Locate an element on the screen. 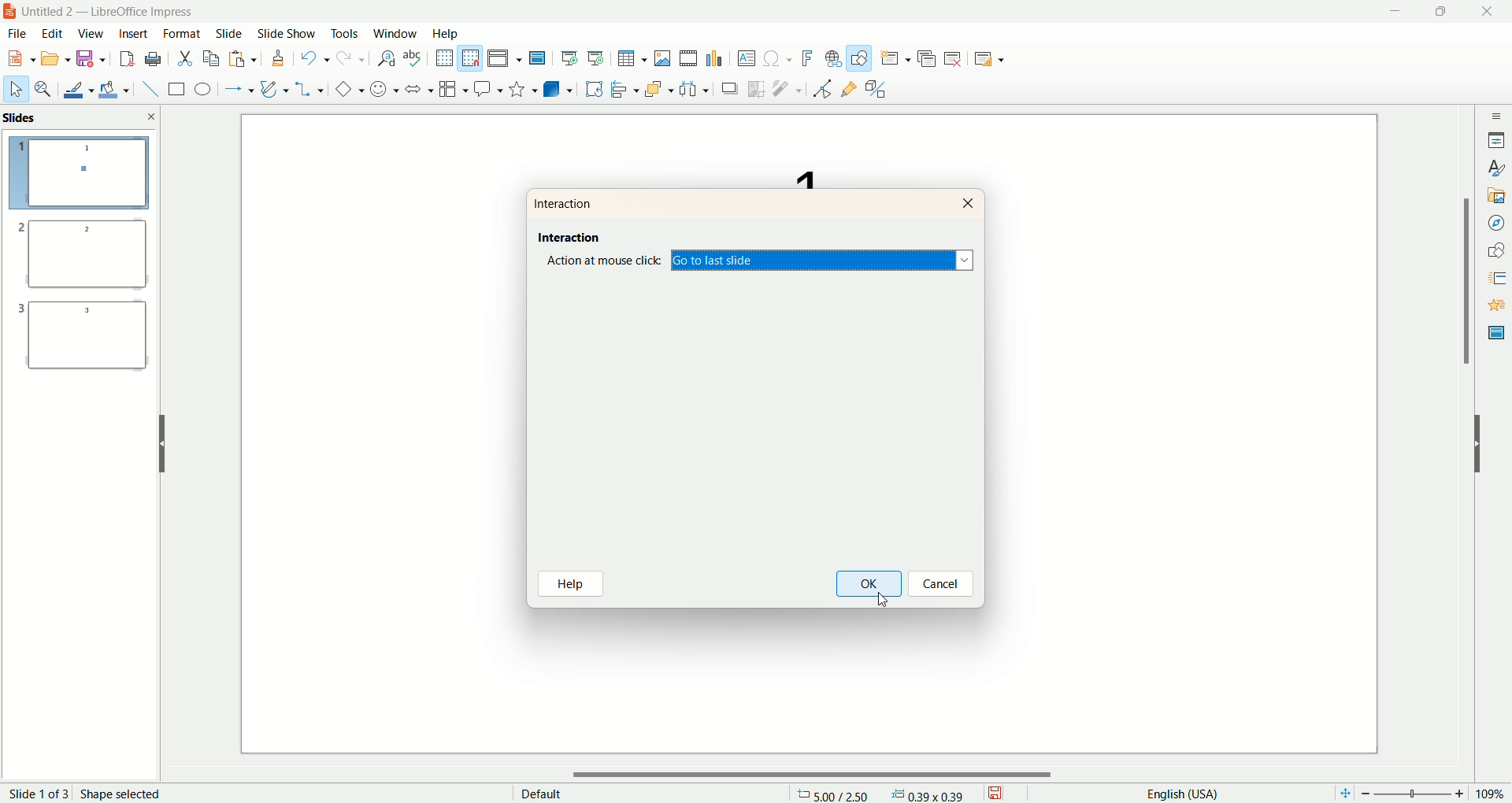  toggle extrusion is located at coordinates (879, 90).